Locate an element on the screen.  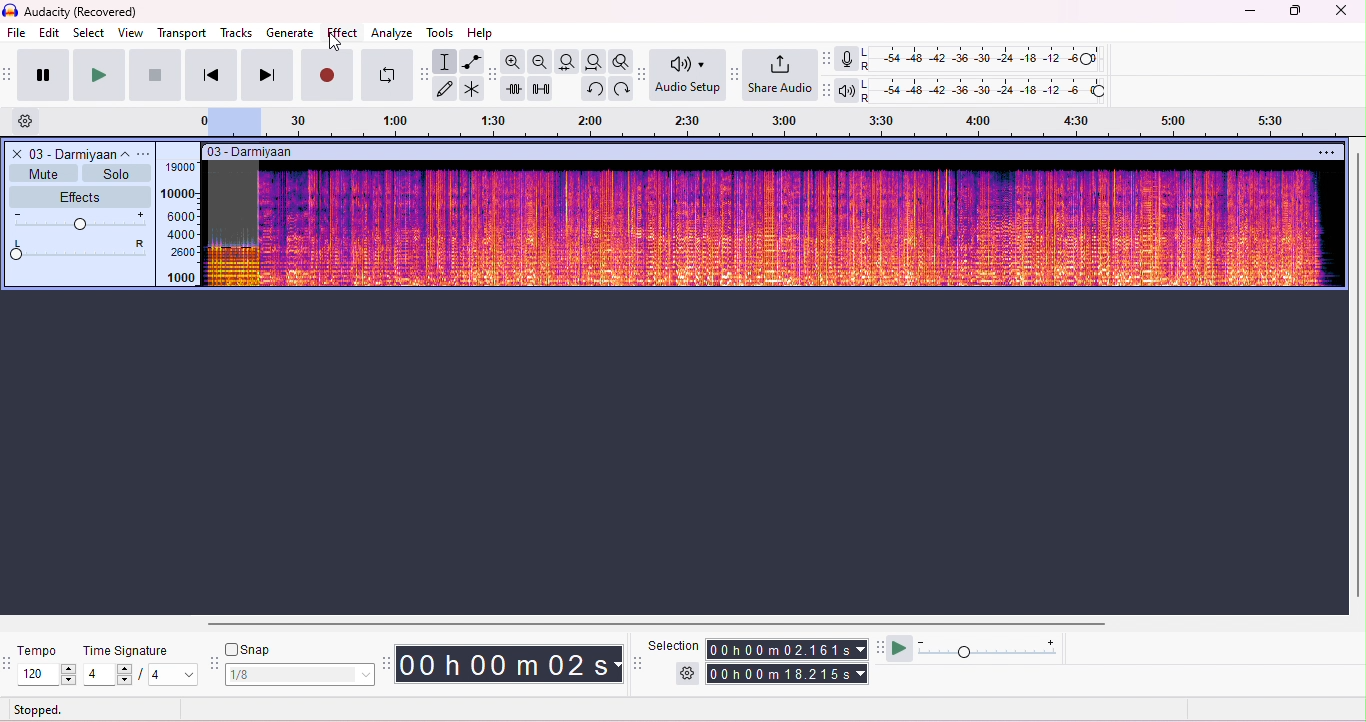
Audio setup tool bar is located at coordinates (643, 75).